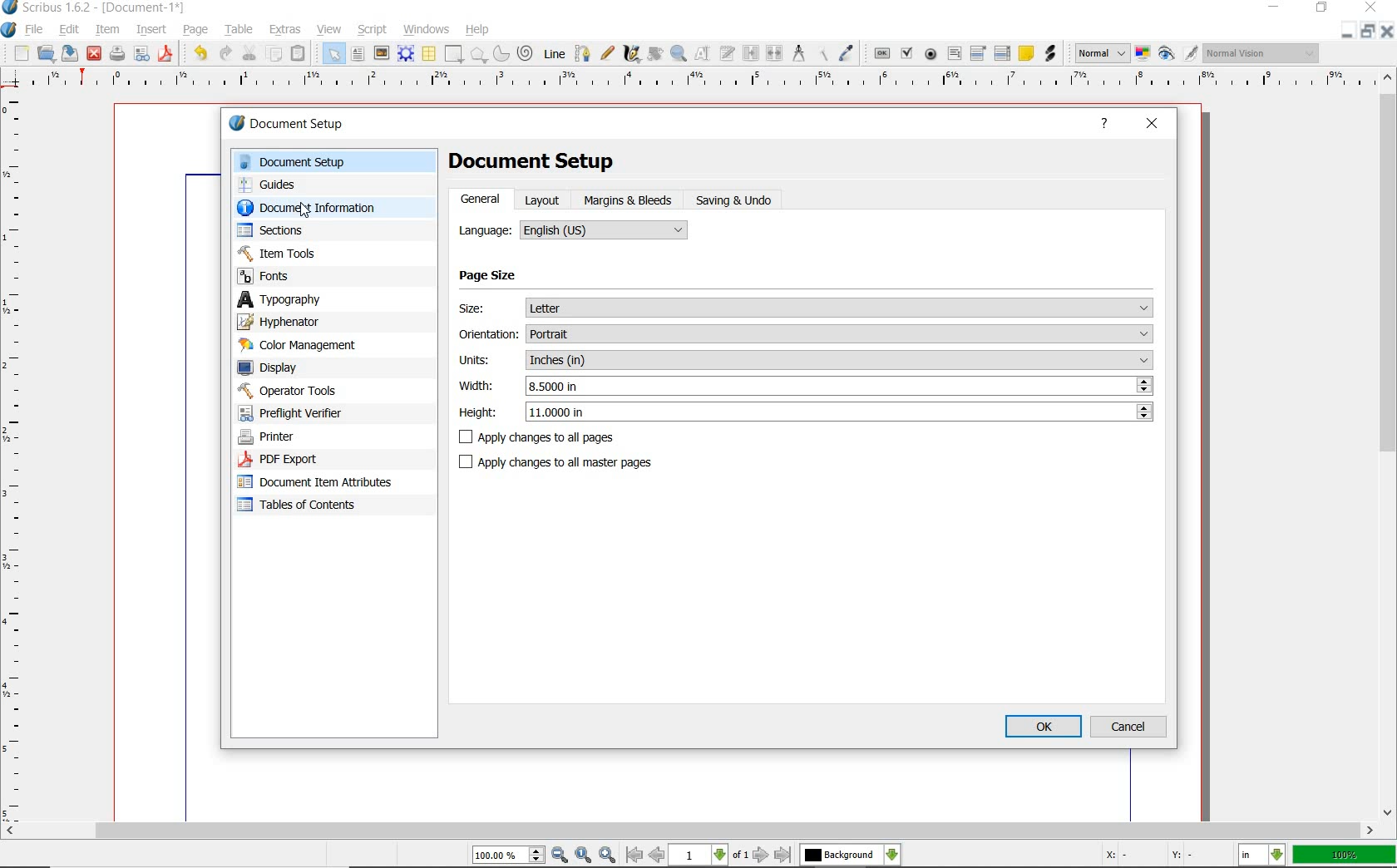 The width and height of the screenshot is (1397, 868). I want to click on toggle color management, so click(1143, 53).